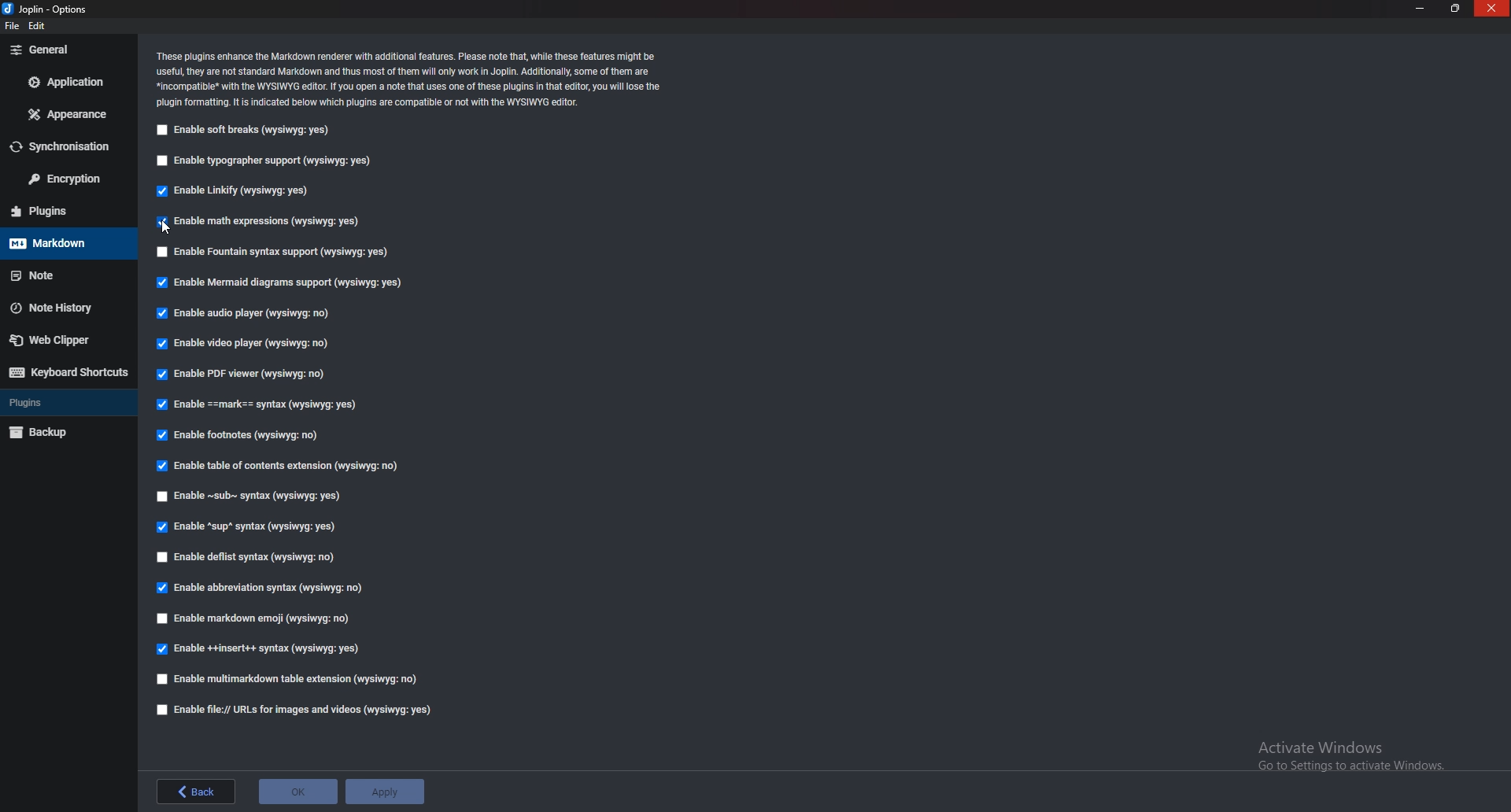  I want to click on Enable multi markdown table, so click(286, 679).